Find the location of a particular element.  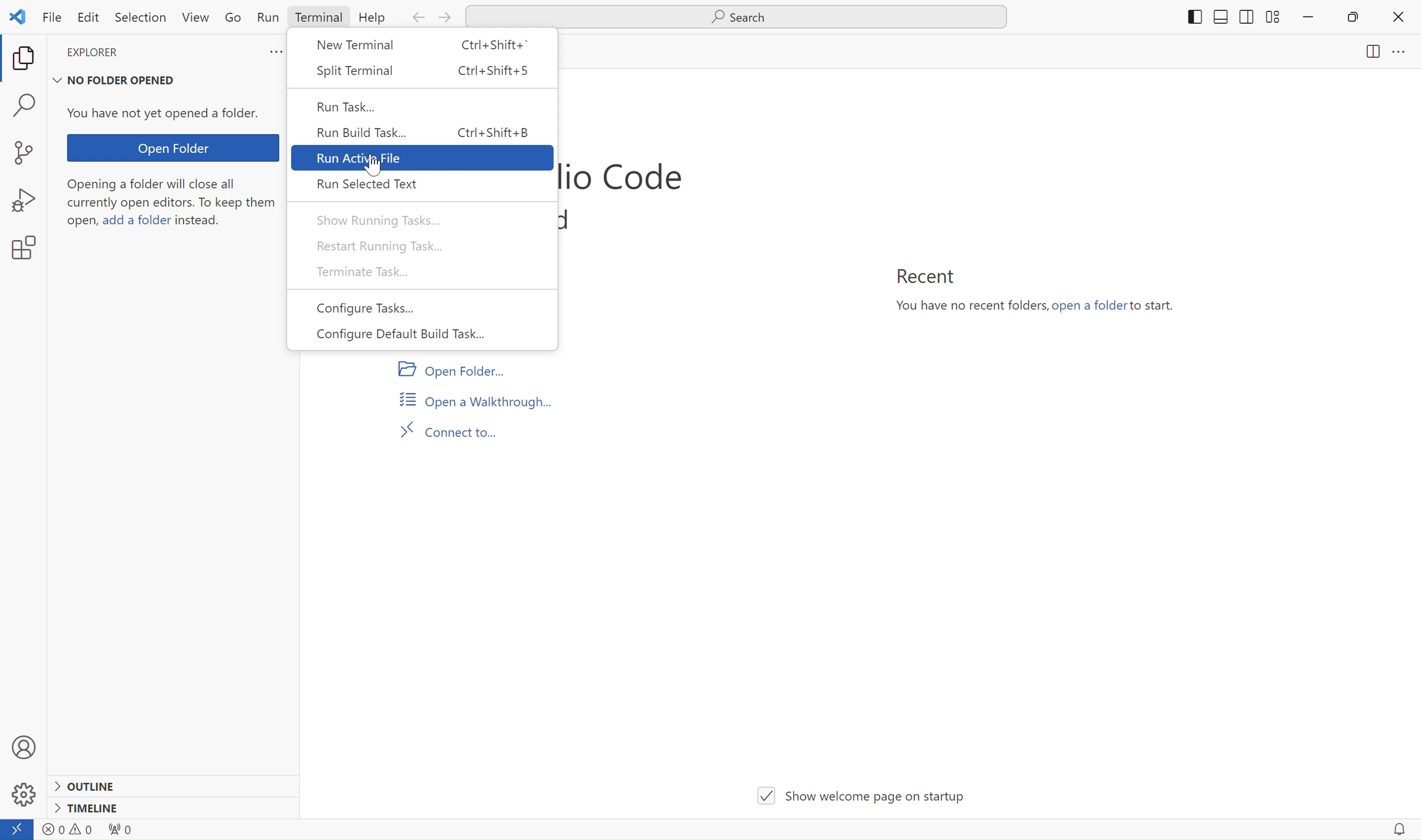

run task is located at coordinates (423, 106).